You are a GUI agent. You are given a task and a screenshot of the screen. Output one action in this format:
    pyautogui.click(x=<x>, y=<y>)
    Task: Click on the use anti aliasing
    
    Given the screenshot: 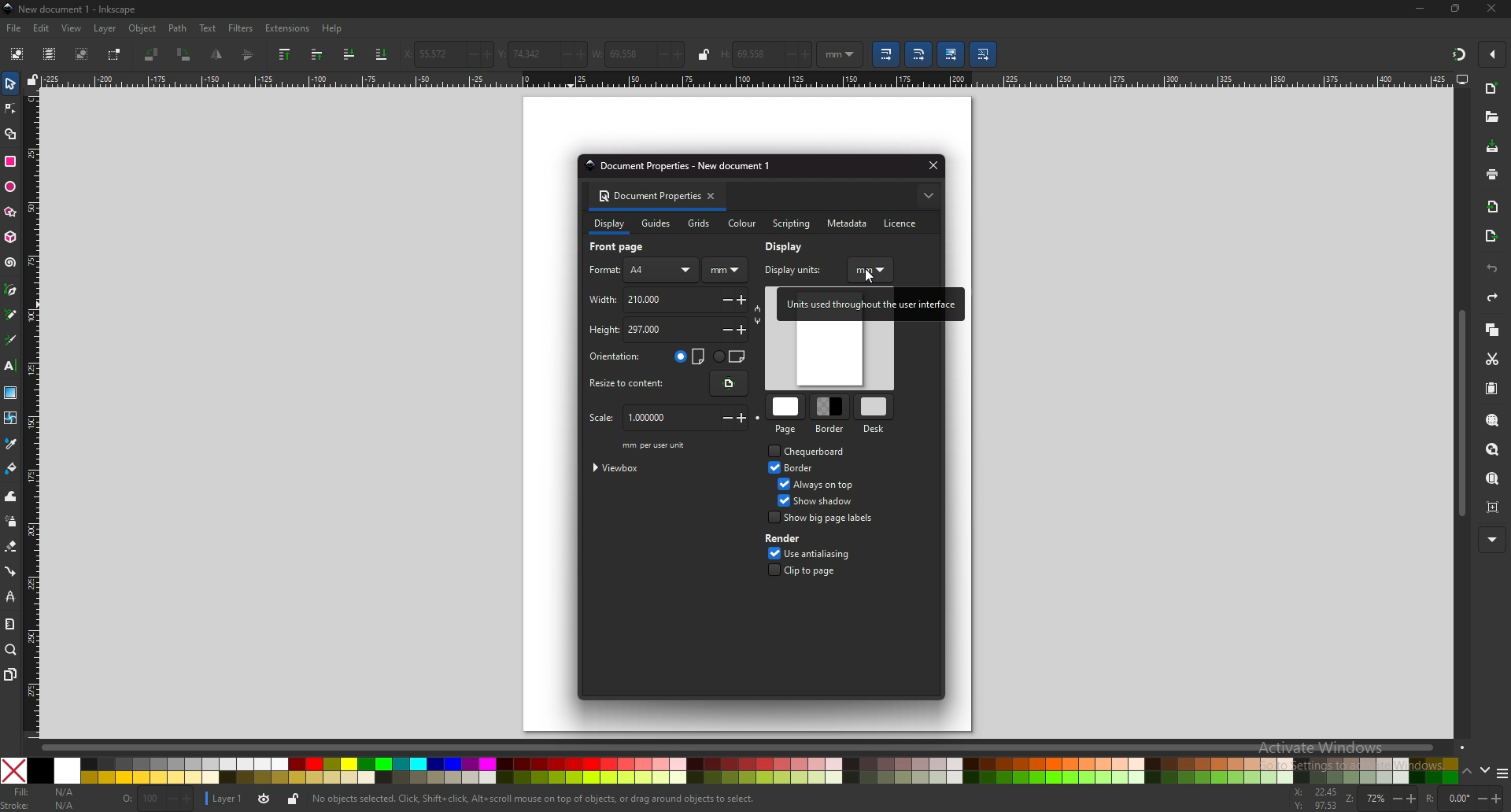 What is the action you would take?
    pyautogui.click(x=835, y=553)
    